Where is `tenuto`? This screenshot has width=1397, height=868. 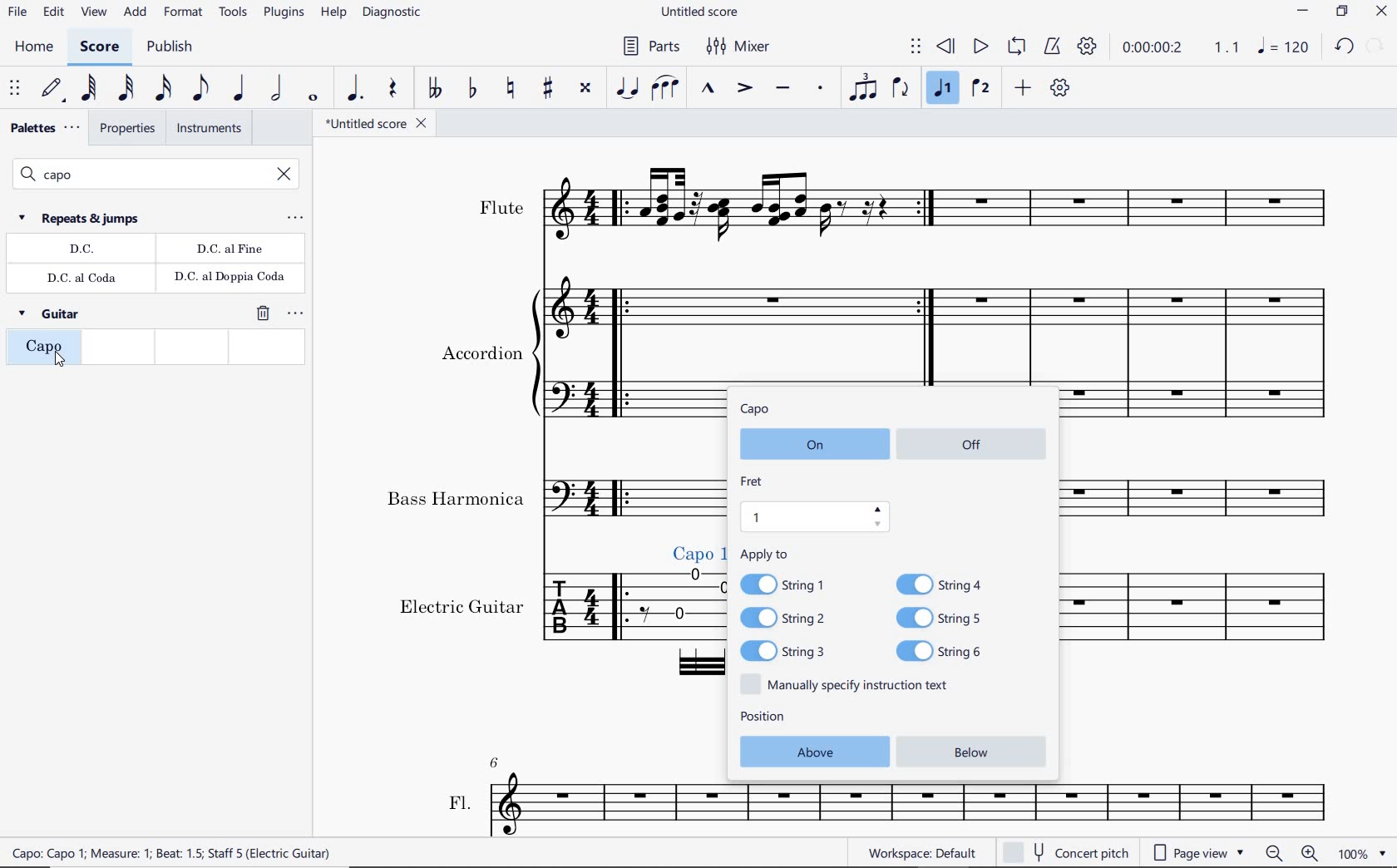 tenuto is located at coordinates (784, 89).